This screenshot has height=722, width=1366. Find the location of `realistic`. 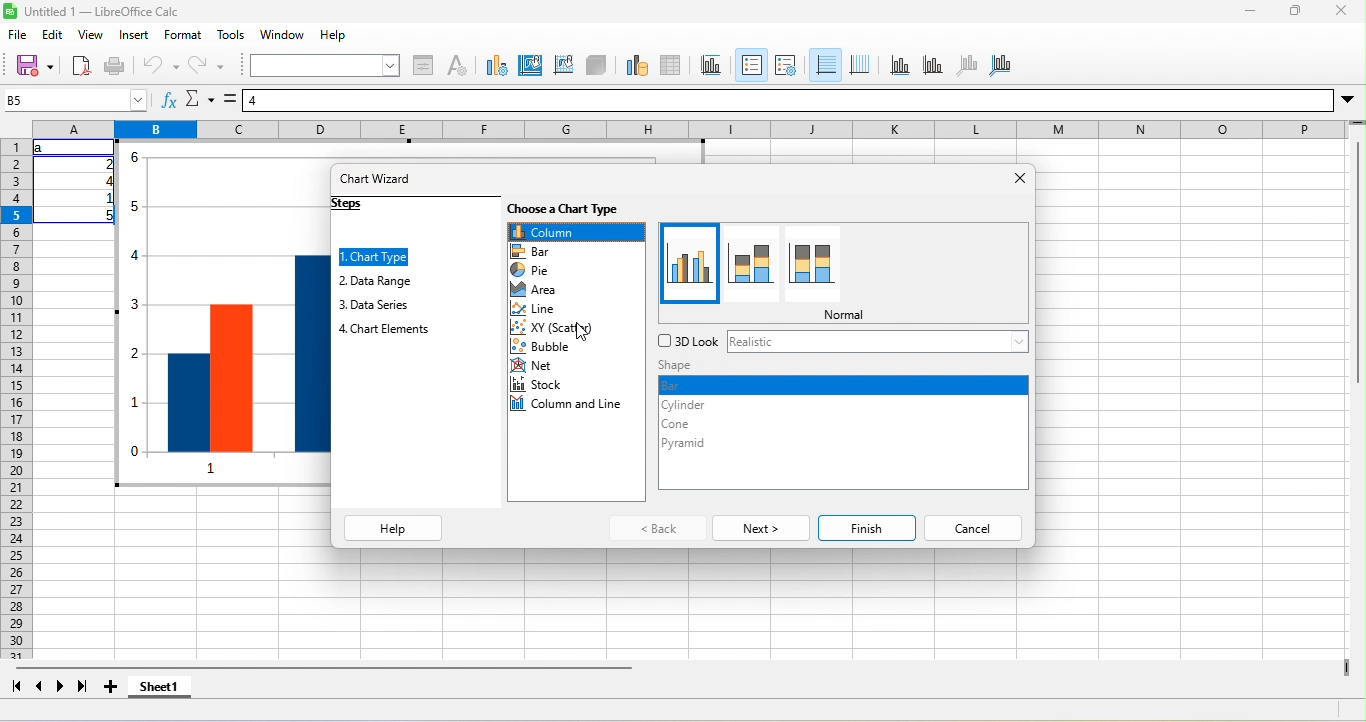

realistic is located at coordinates (868, 341).